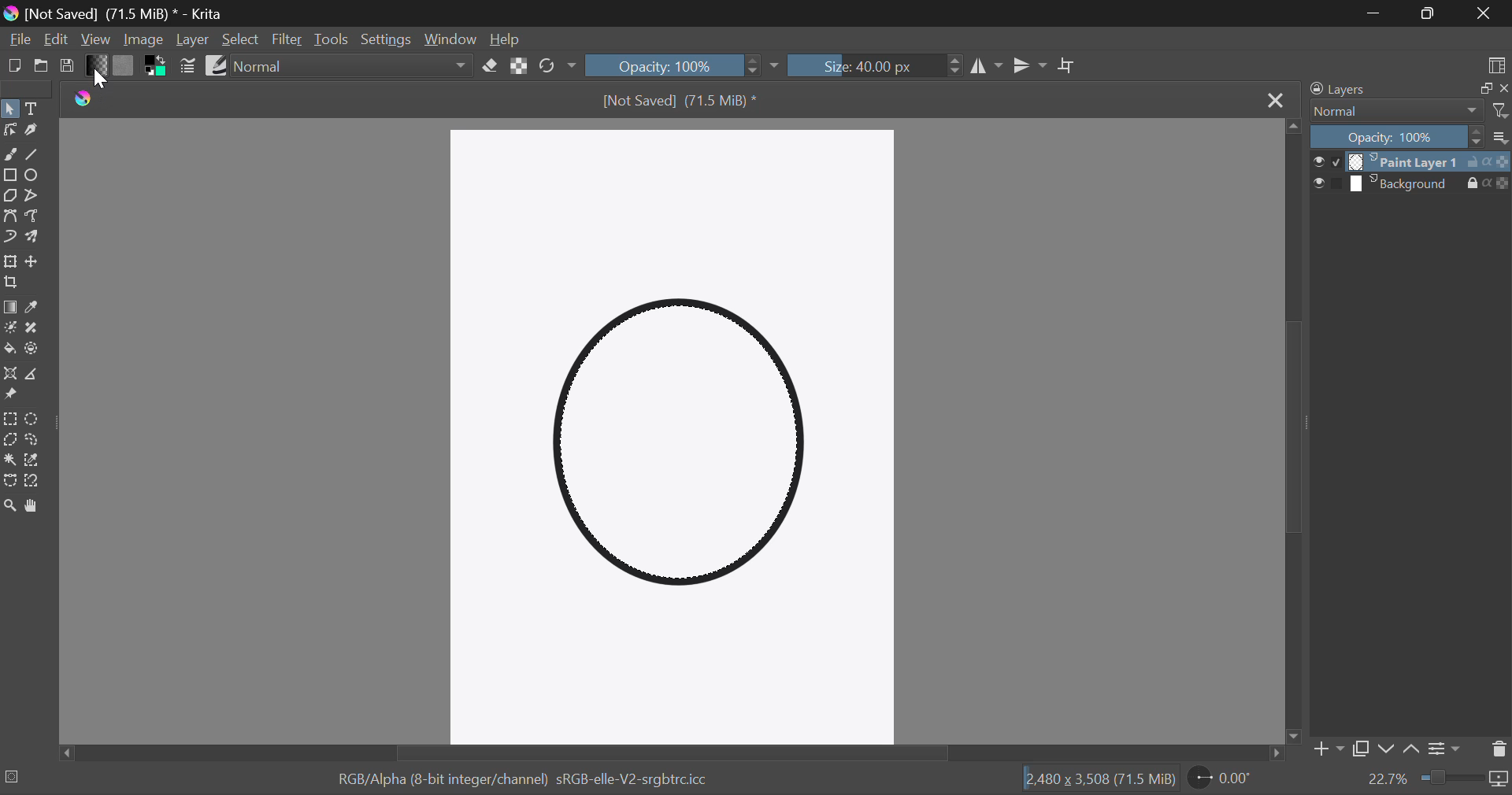 This screenshot has height=795, width=1512. I want to click on checkbox, so click(1326, 162).